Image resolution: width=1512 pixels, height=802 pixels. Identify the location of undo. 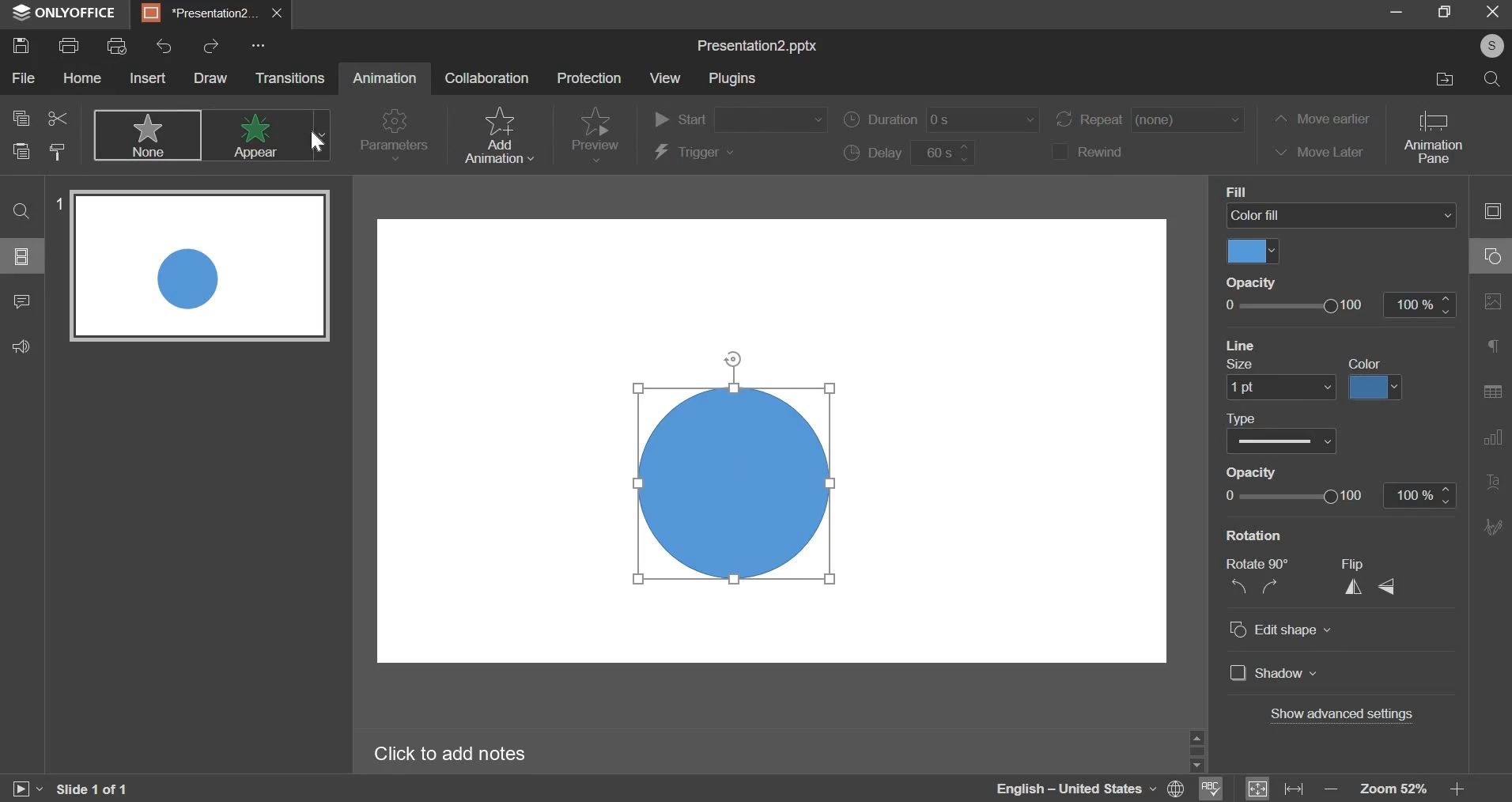
(165, 47).